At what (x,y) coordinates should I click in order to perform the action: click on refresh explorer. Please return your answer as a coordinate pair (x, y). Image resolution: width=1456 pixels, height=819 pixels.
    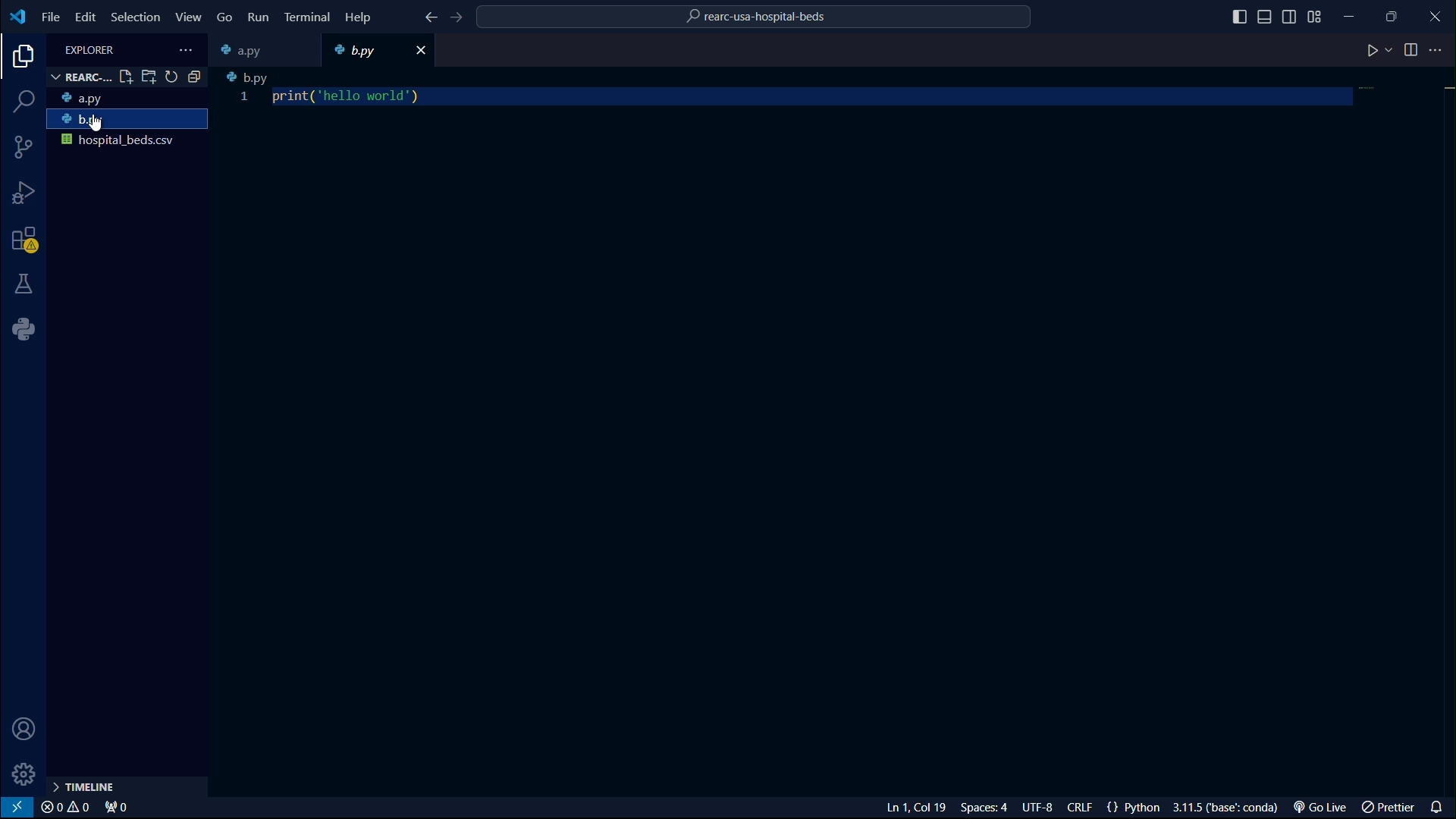
    Looking at the image, I should click on (172, 77).